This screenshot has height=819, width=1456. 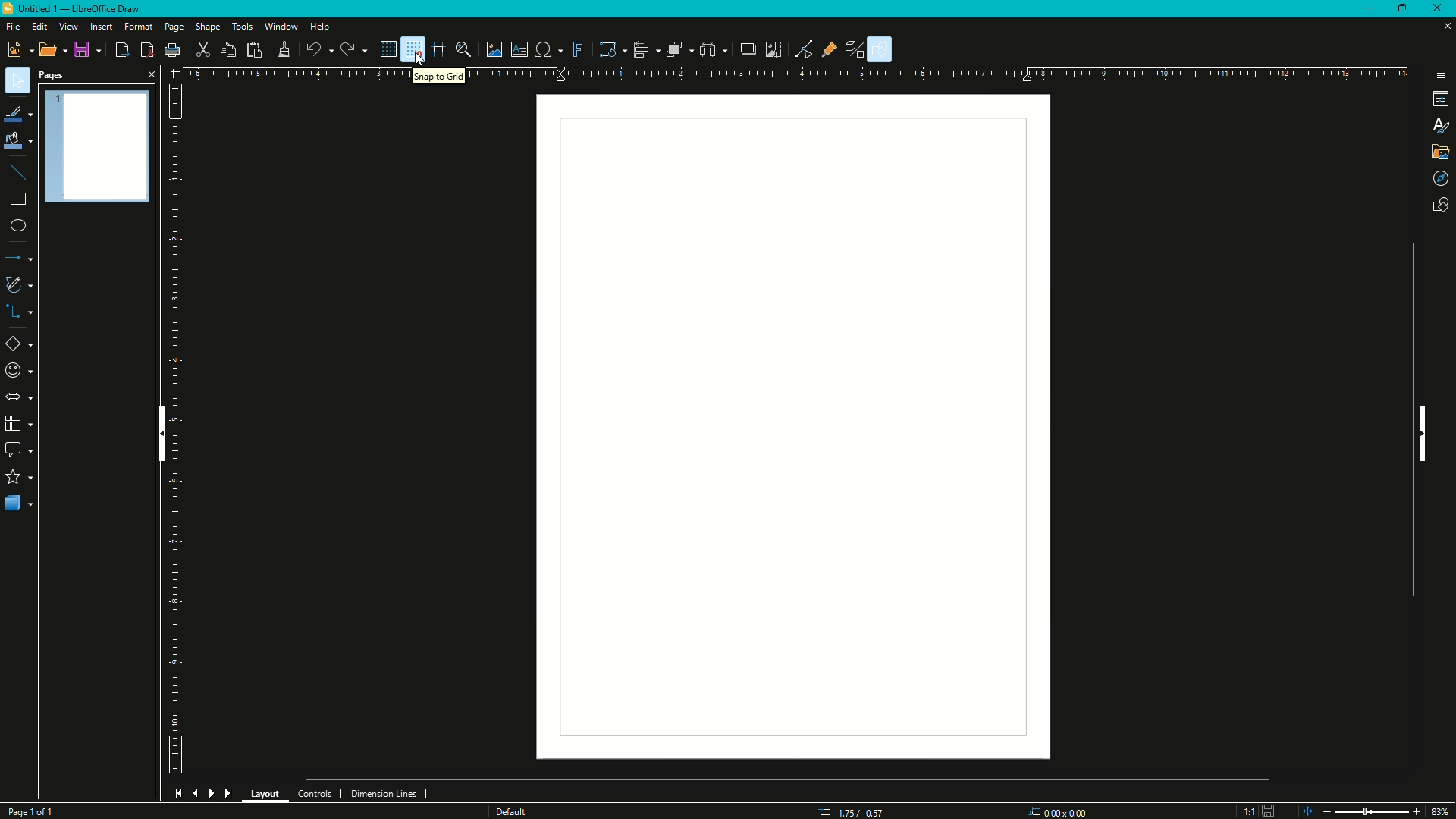 What do you see at coordinates (52, 73) in the screenshot?
I see `Pages` at bounding box center [52, 73].